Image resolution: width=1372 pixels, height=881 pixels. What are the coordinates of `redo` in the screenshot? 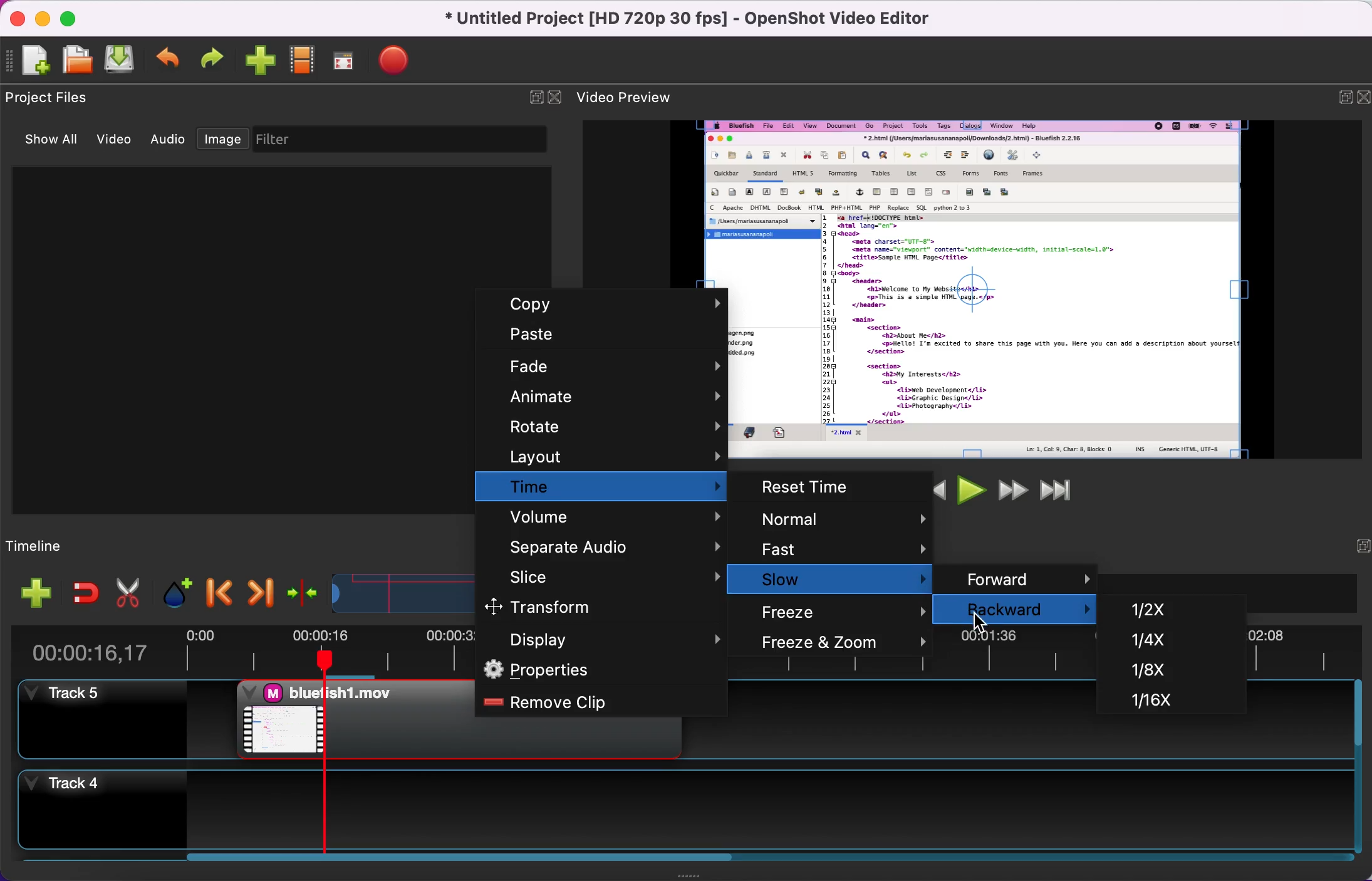 It's located at (216, 58).